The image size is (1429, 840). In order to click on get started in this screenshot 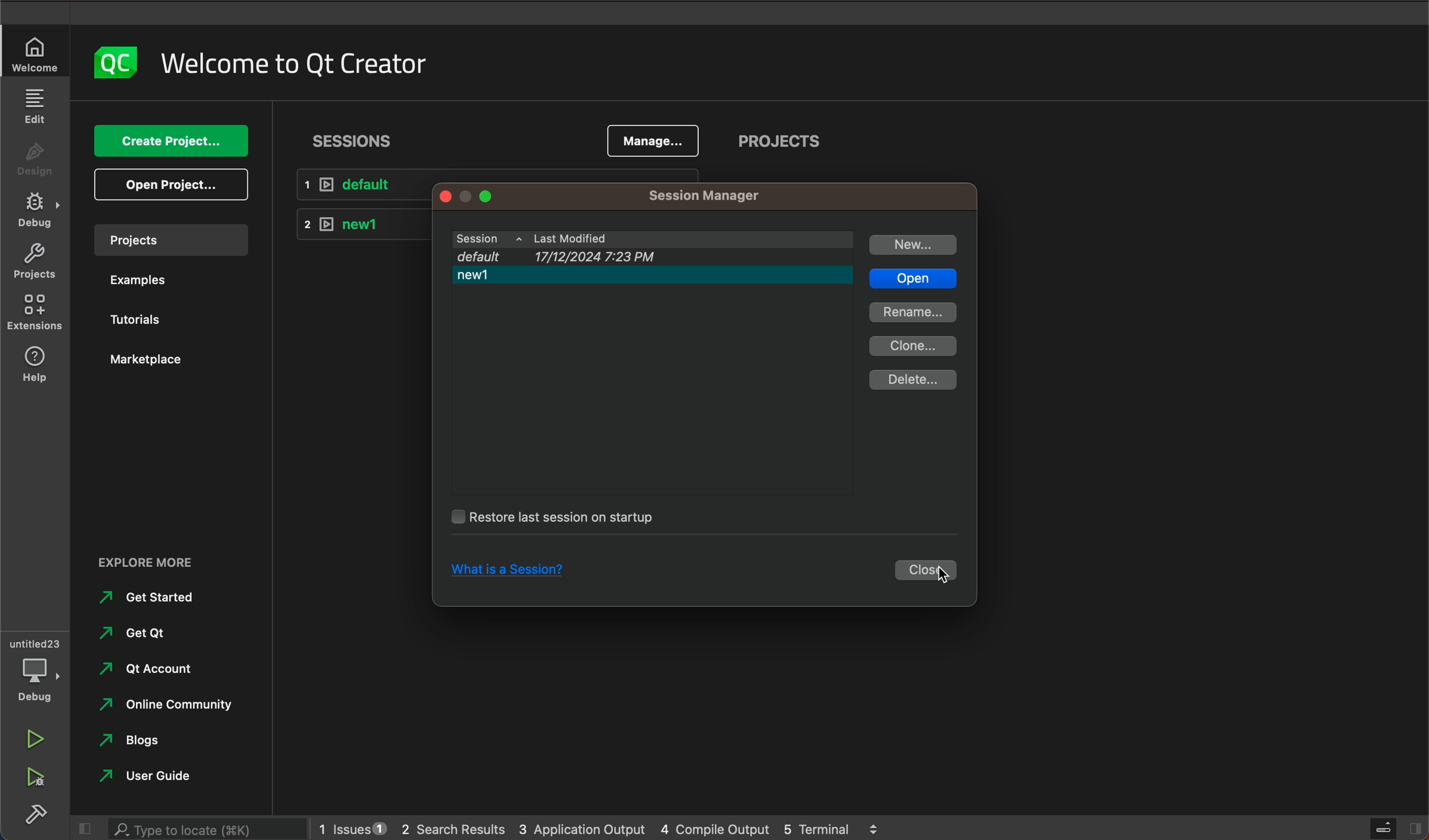, I will do `click(153, 597)`.